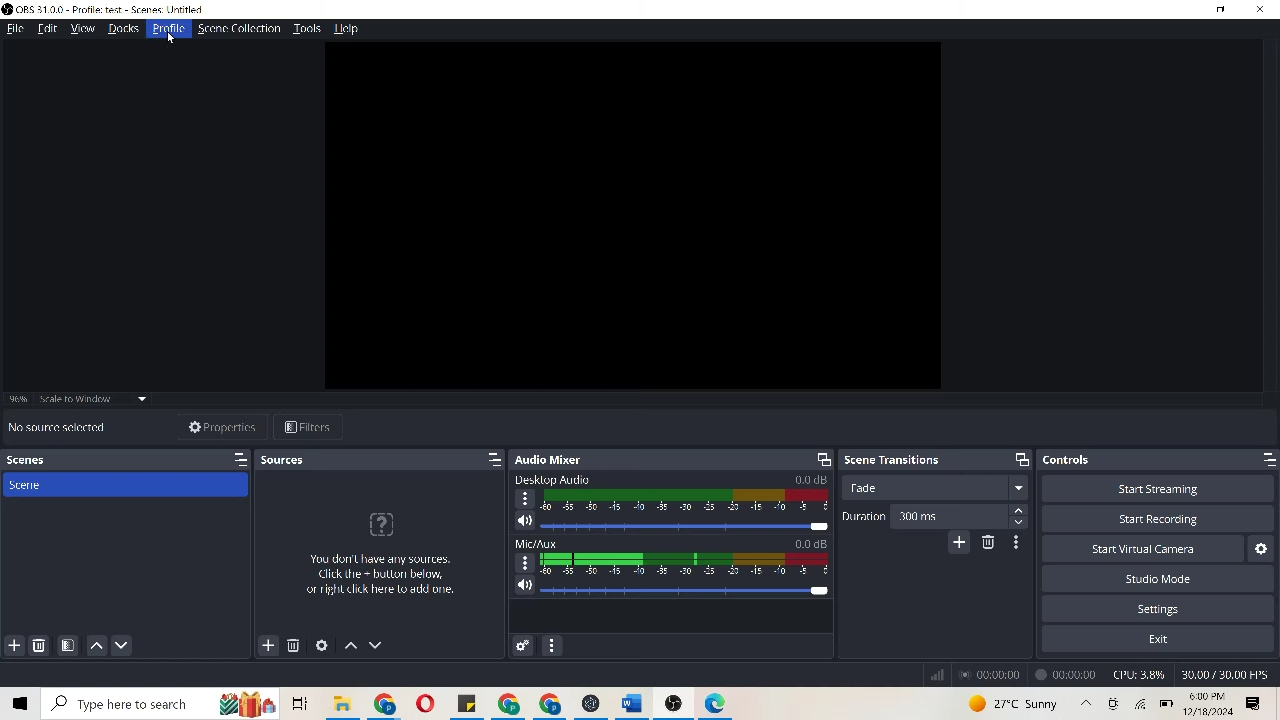 The width and height of the screenshot is (1280, 720). What do you see at coordinates (389, 704) in the screenshot?
I see `chrome` at bounding box center [389, 704].